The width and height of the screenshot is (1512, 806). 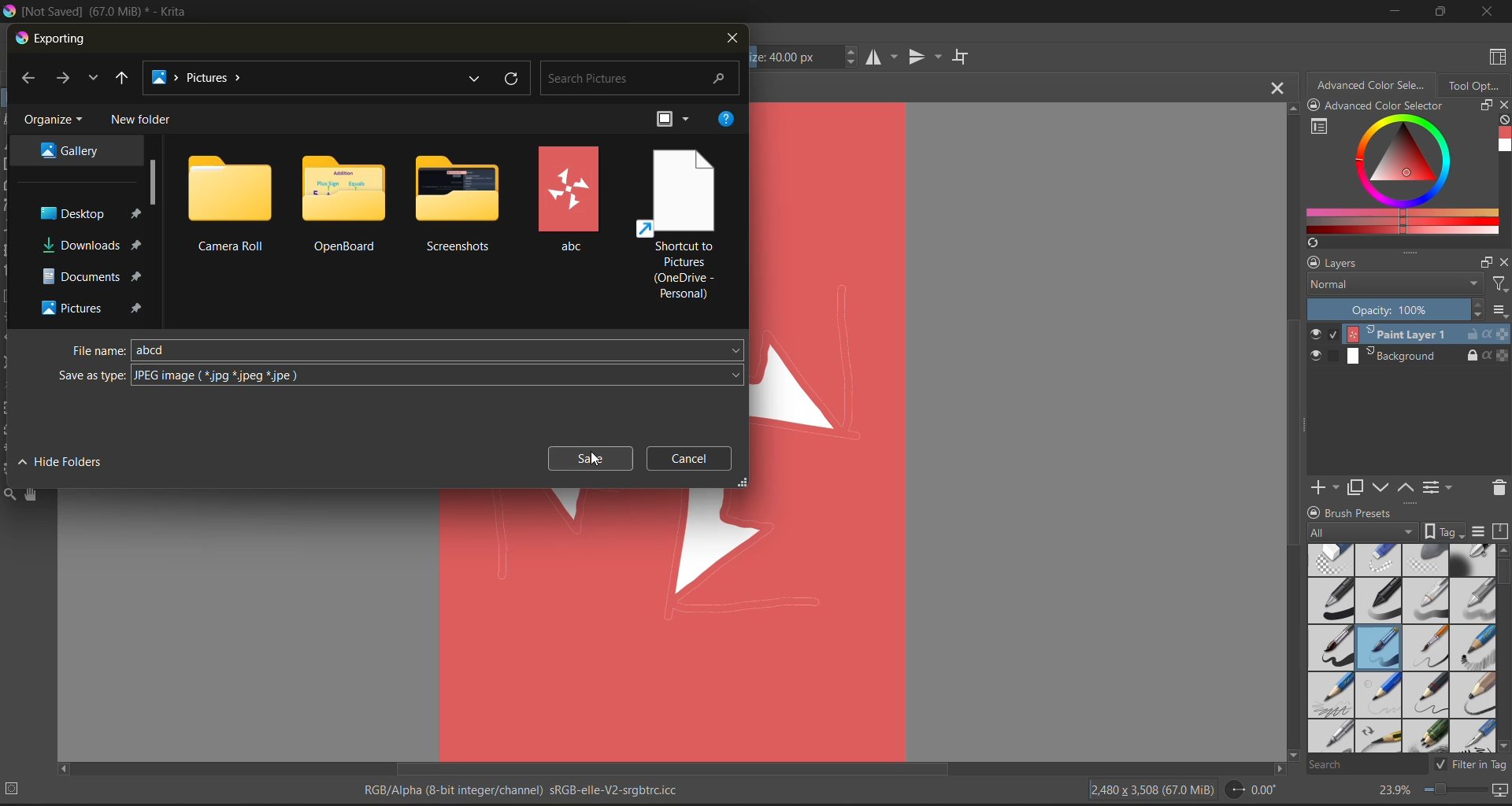 I want to click on change view, so click(x=673, y=120).